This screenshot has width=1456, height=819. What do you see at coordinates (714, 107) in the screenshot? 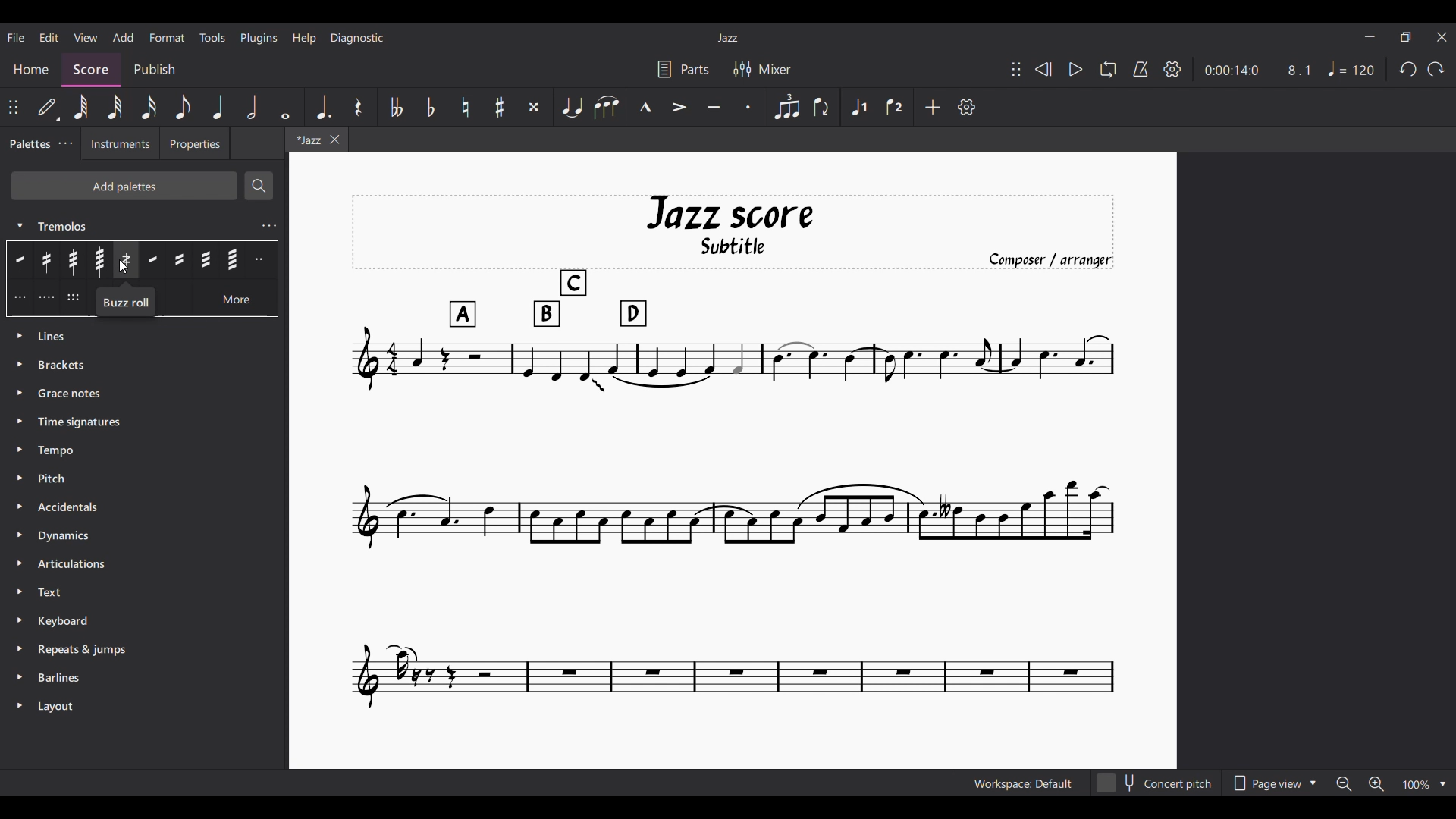
I see `Tenuto` at bounding box center [714, 107].